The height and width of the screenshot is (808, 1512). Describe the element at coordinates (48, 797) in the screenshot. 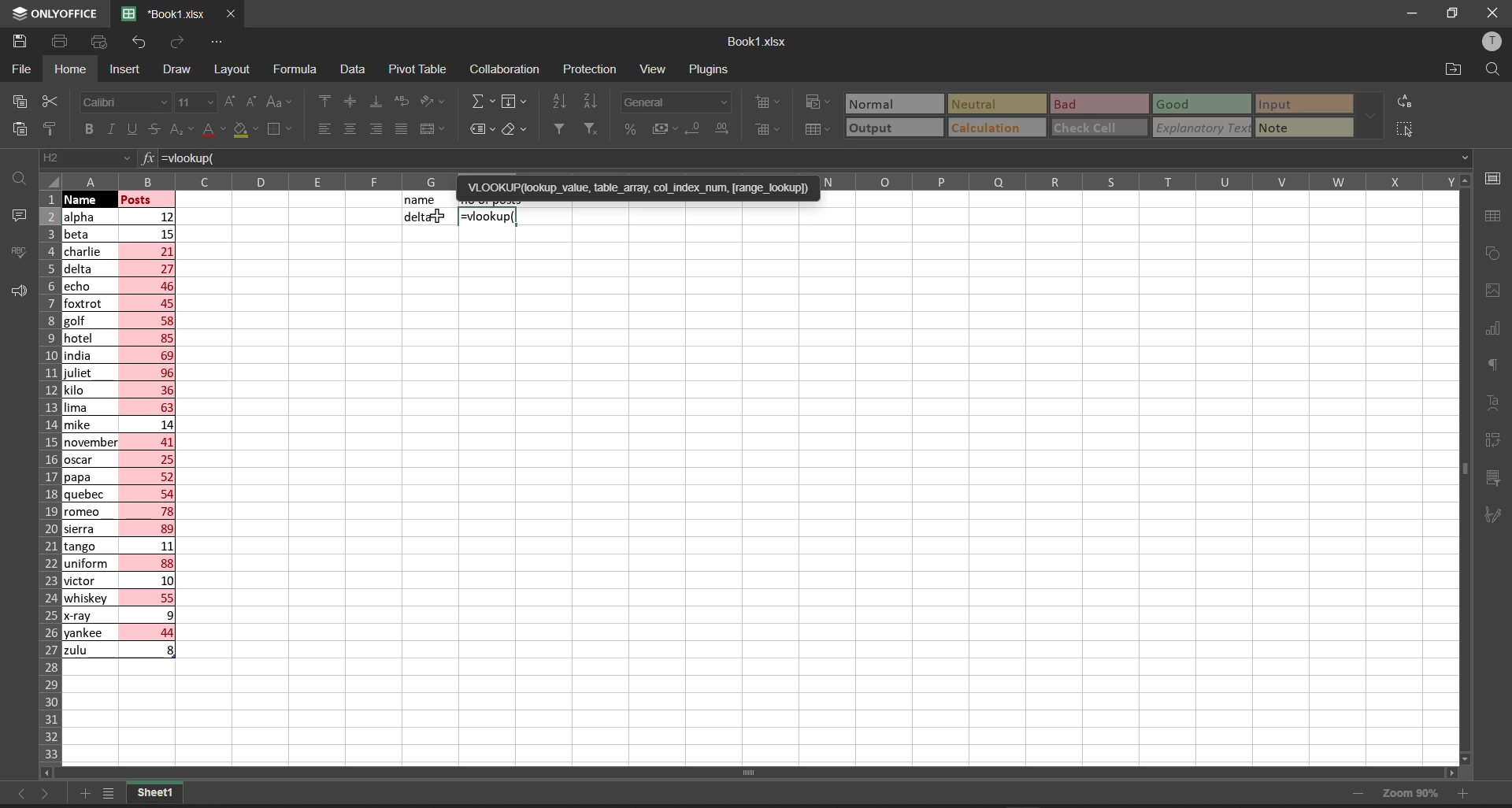

I see `move to the sheet right to current sheet` at that location.